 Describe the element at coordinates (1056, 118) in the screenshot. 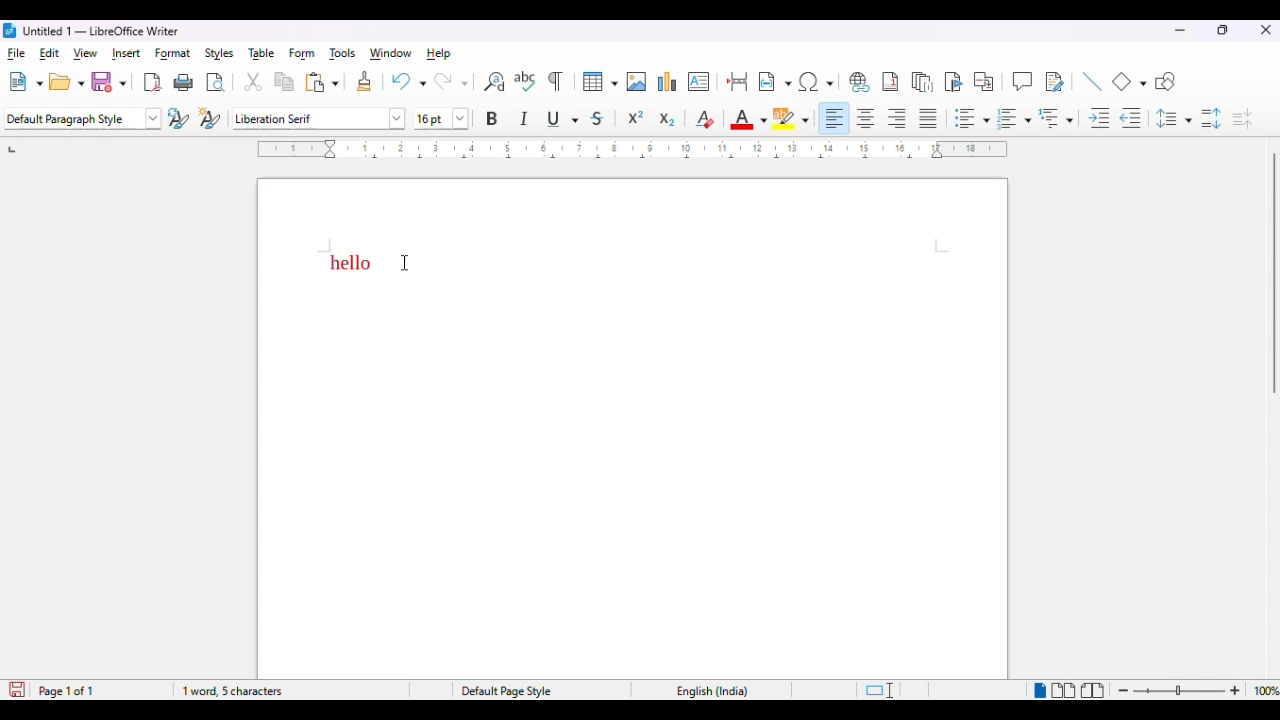

I see `select outline format` at that location.